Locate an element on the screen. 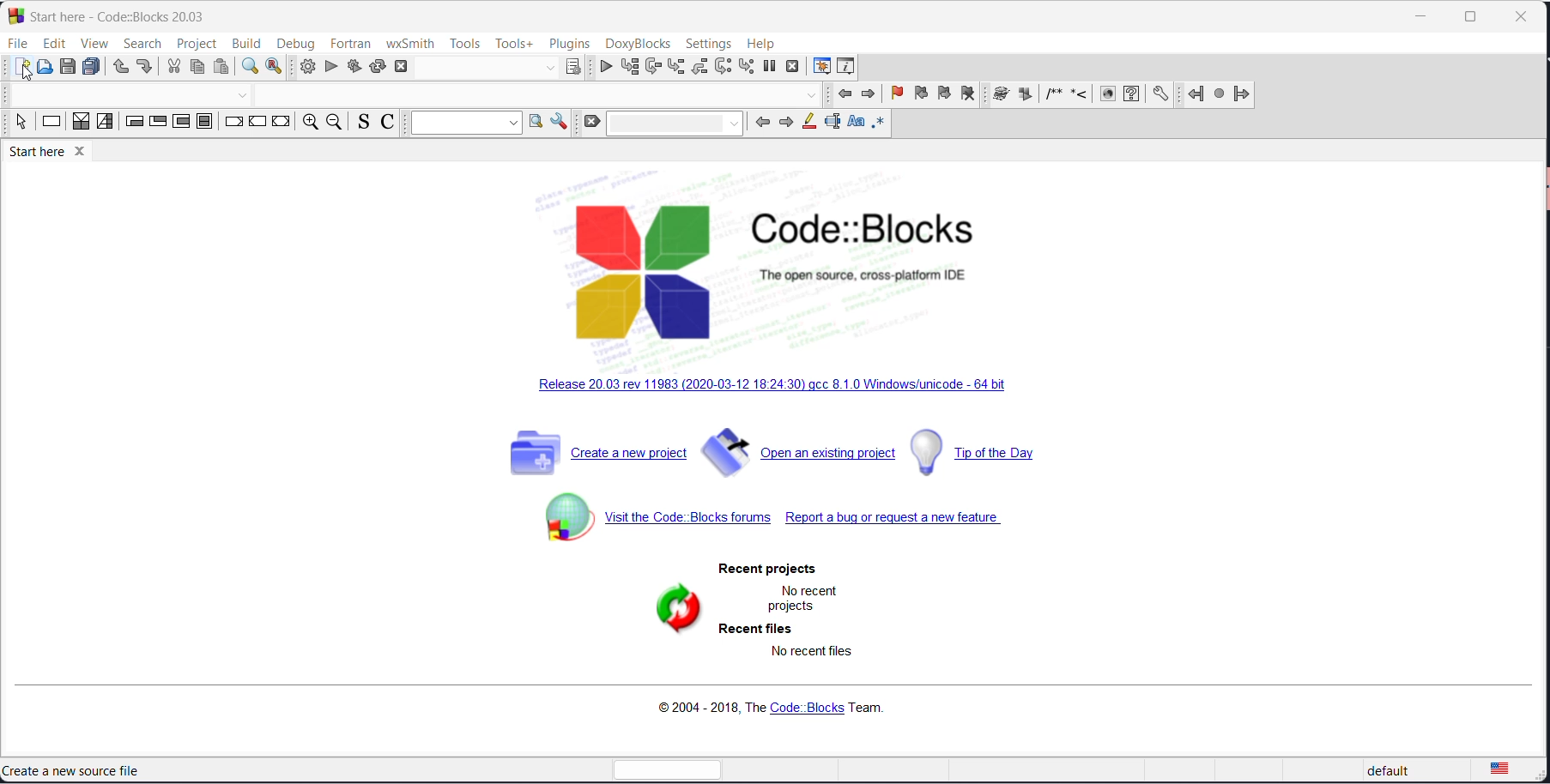 Image resolution: width=1550 pixels, height=784 pixels. next bookmark is located at coordinates (944, 94).